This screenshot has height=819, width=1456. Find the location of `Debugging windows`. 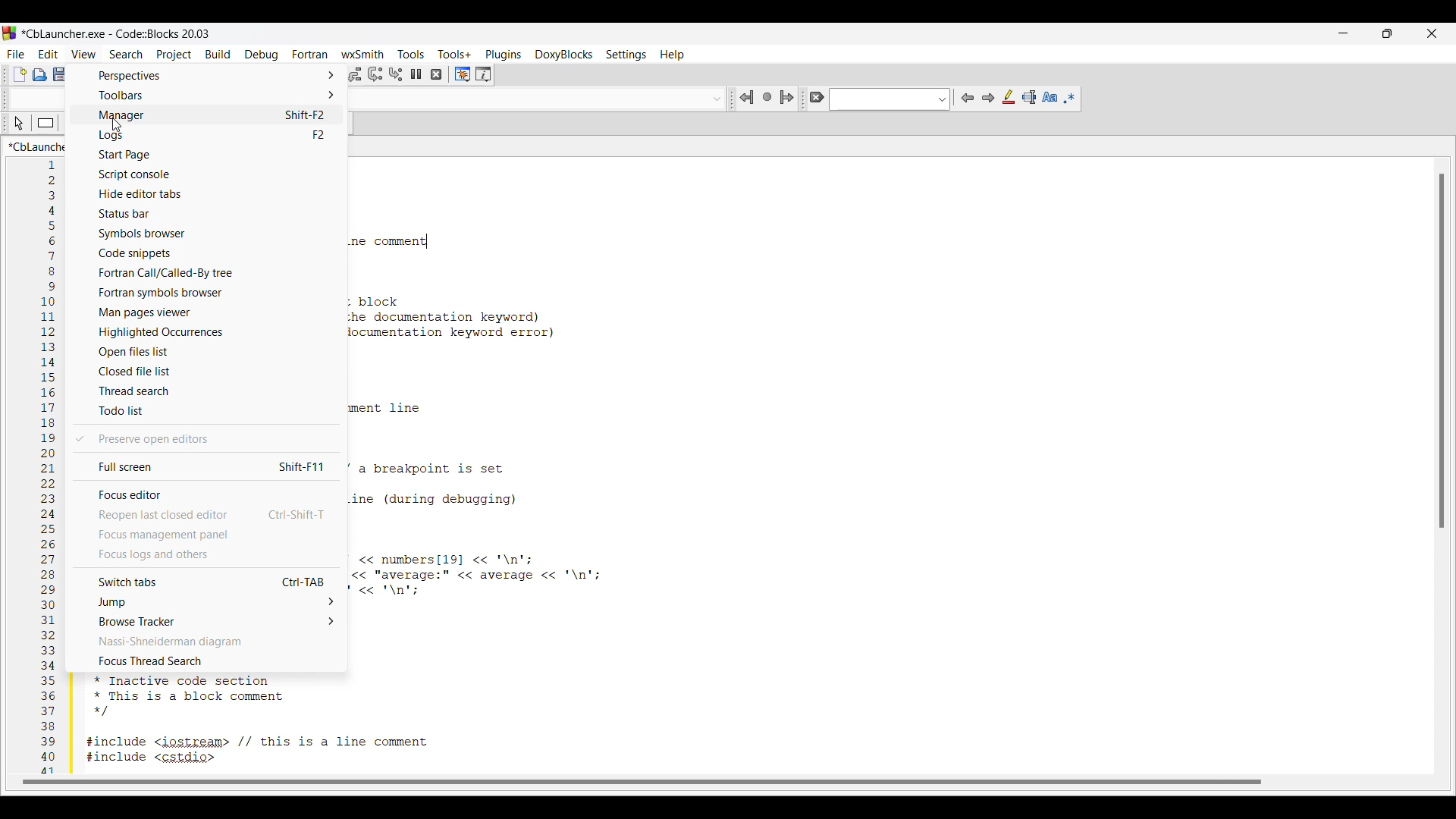

Debugging windows is located at coordinates (463, 74).